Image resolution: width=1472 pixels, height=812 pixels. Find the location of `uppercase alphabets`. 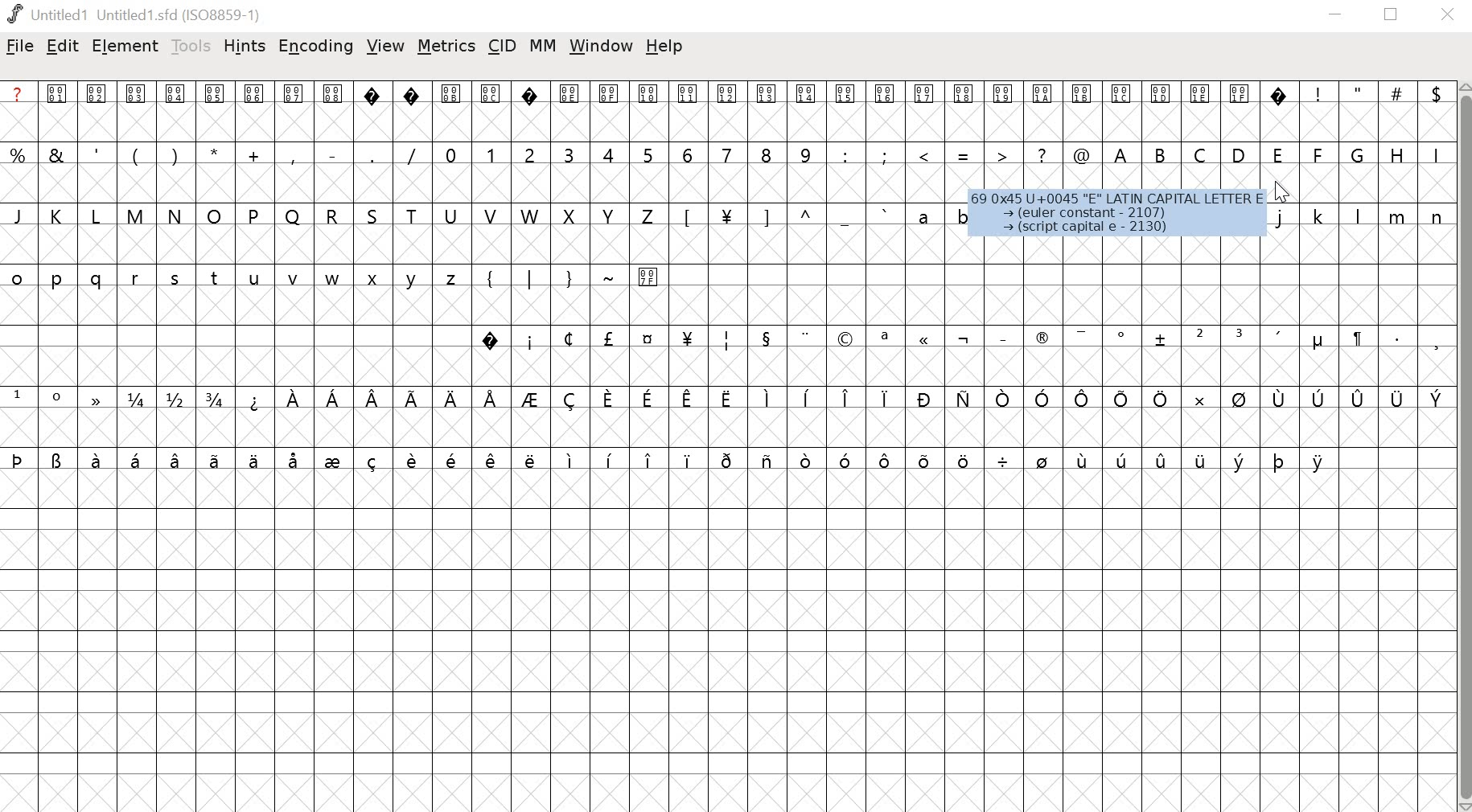

uppercase alphabets is located at coordinates (1277, 153).